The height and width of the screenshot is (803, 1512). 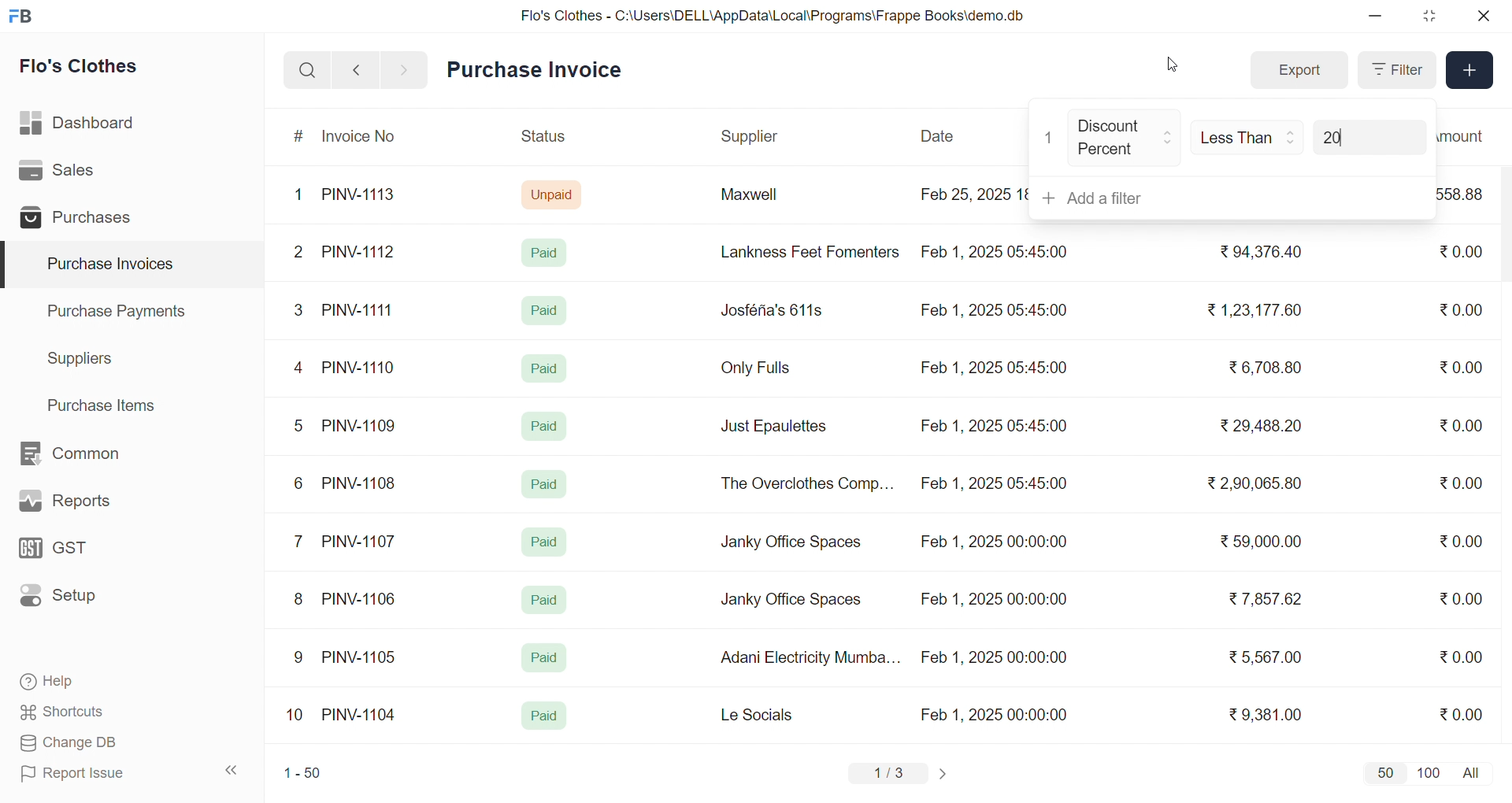 What do you see at coordinates (1395, 70) in the screenshot?
I see `Filter` at bounding box center [1395, 70].